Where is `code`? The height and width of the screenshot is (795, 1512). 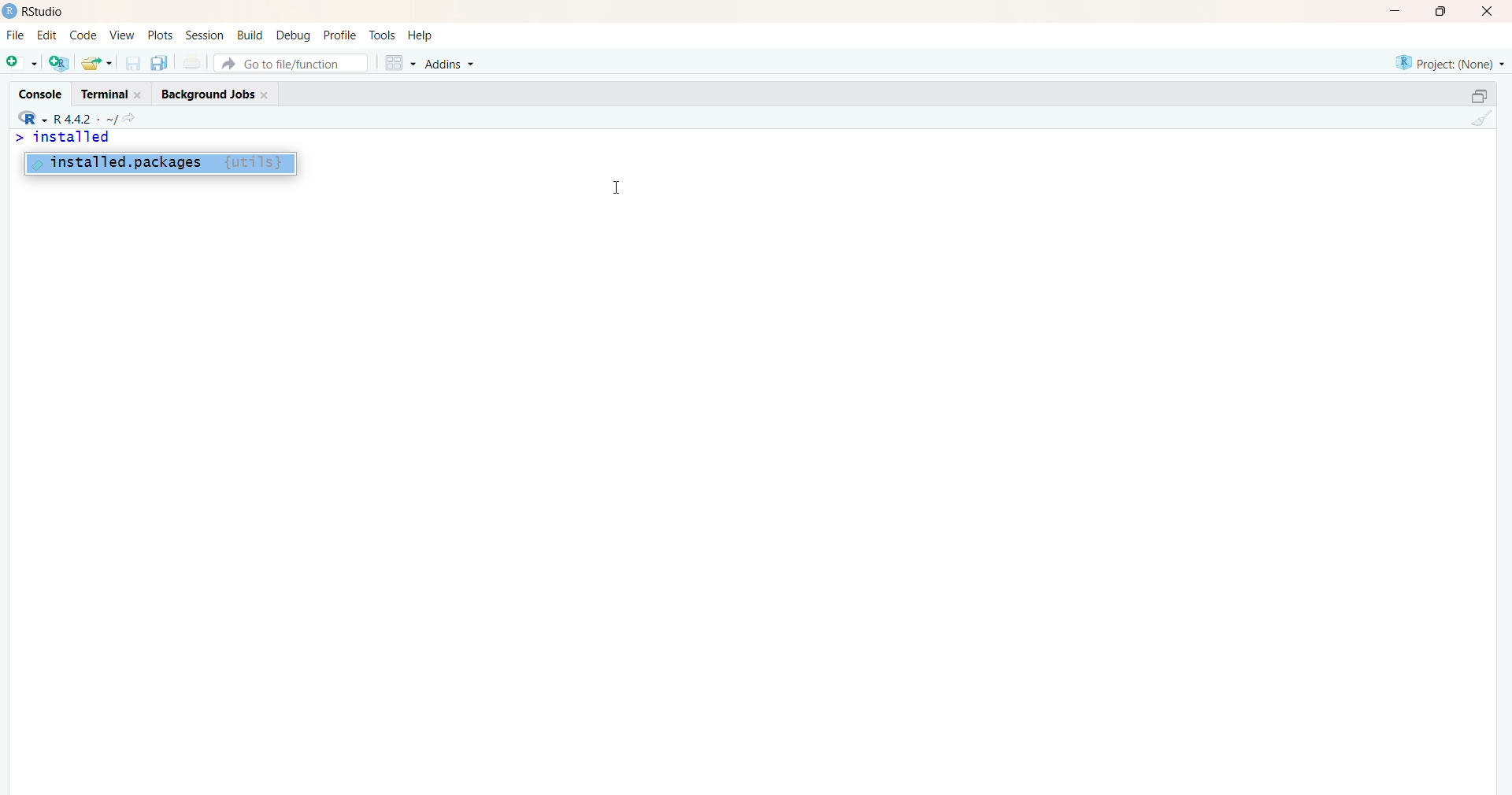
code is located at coordinates (83, 35).